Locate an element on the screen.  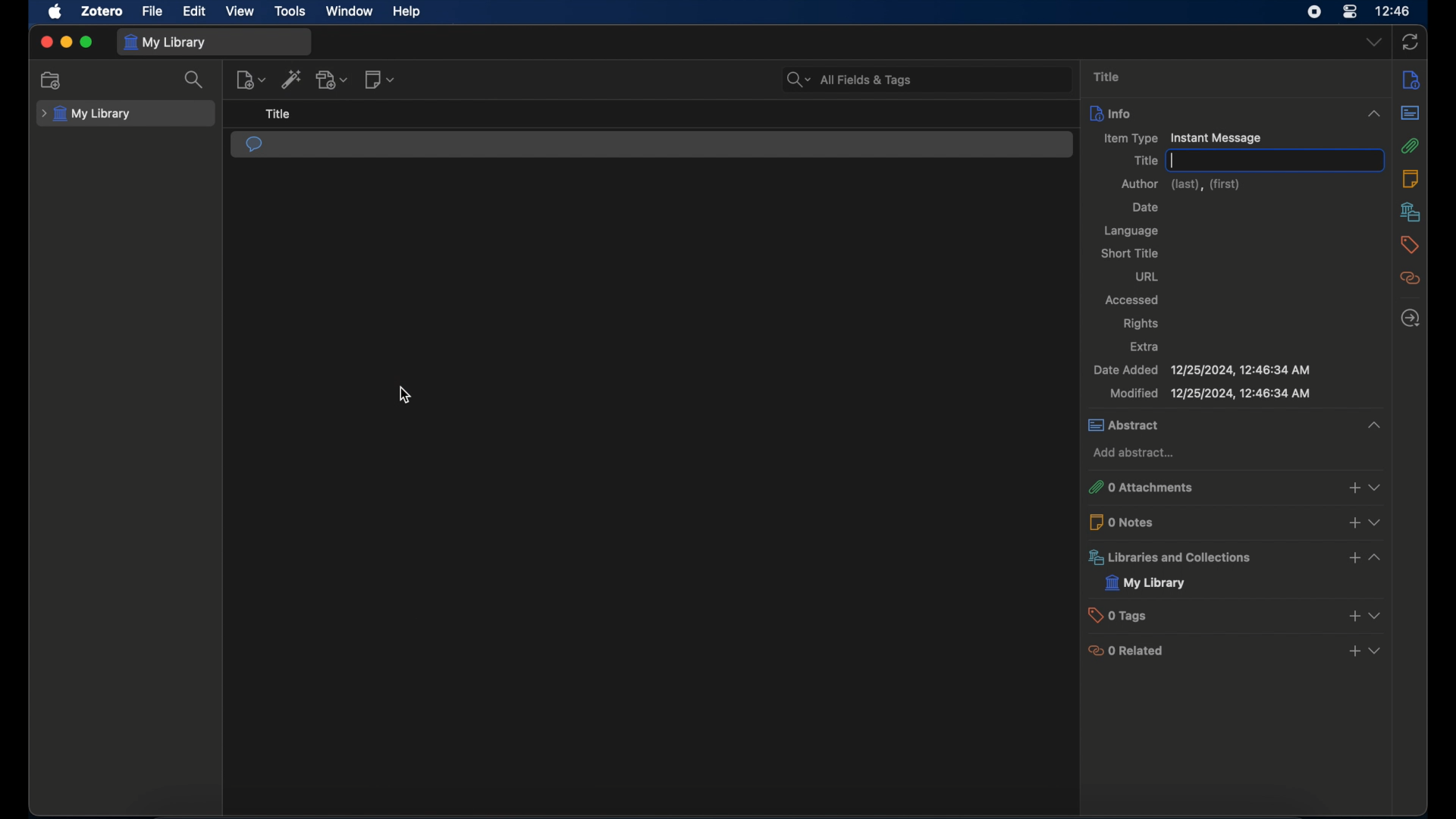
item type is located at coordinates (1180, 139).